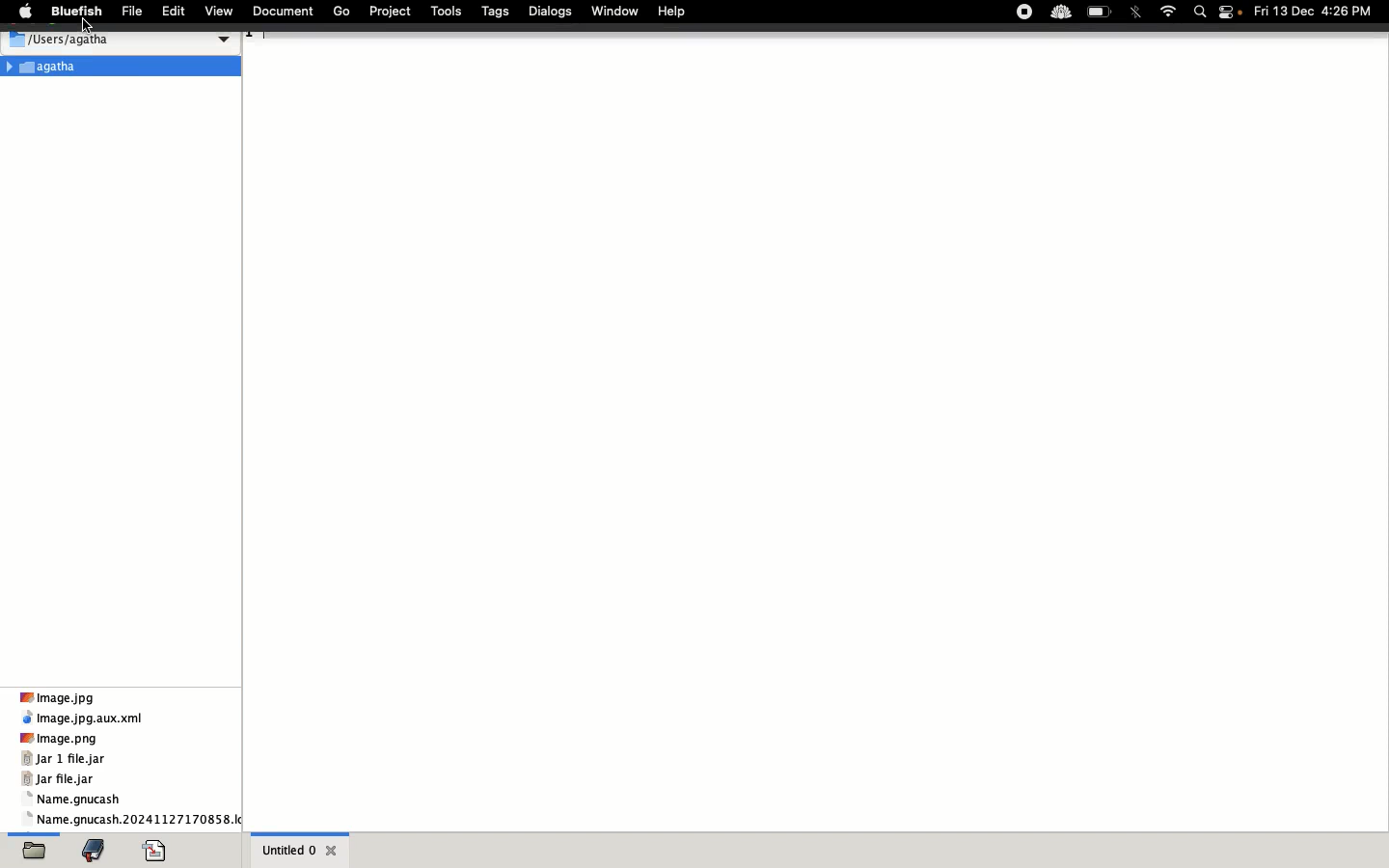 The width and height of the screenshot is (1389, 868). I want to click on Notification, so click(1234, 14).